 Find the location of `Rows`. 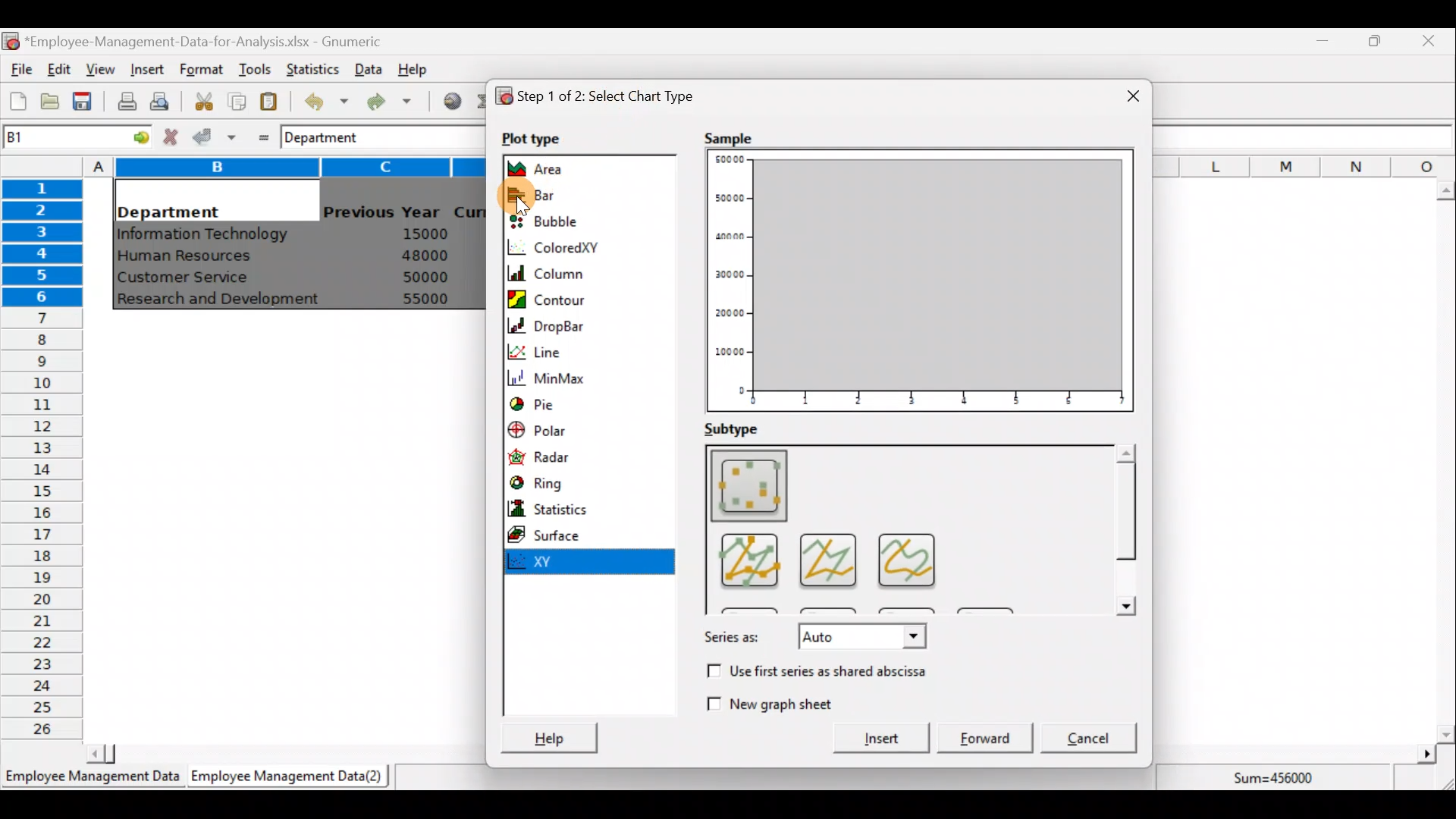

Rows is located at coordinates (42, 456).